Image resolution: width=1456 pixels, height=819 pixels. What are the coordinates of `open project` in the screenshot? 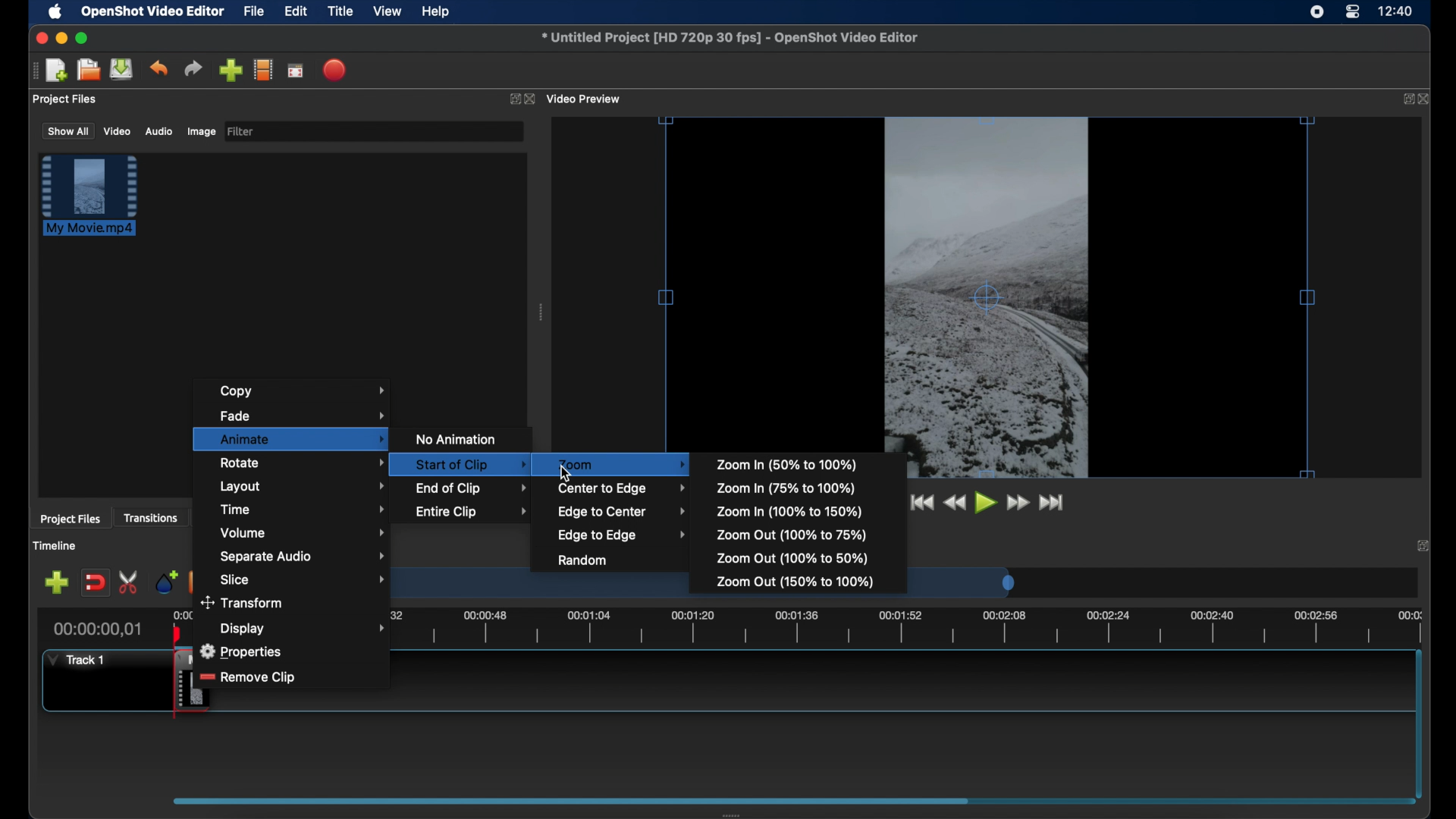 It's located at (88, 70).